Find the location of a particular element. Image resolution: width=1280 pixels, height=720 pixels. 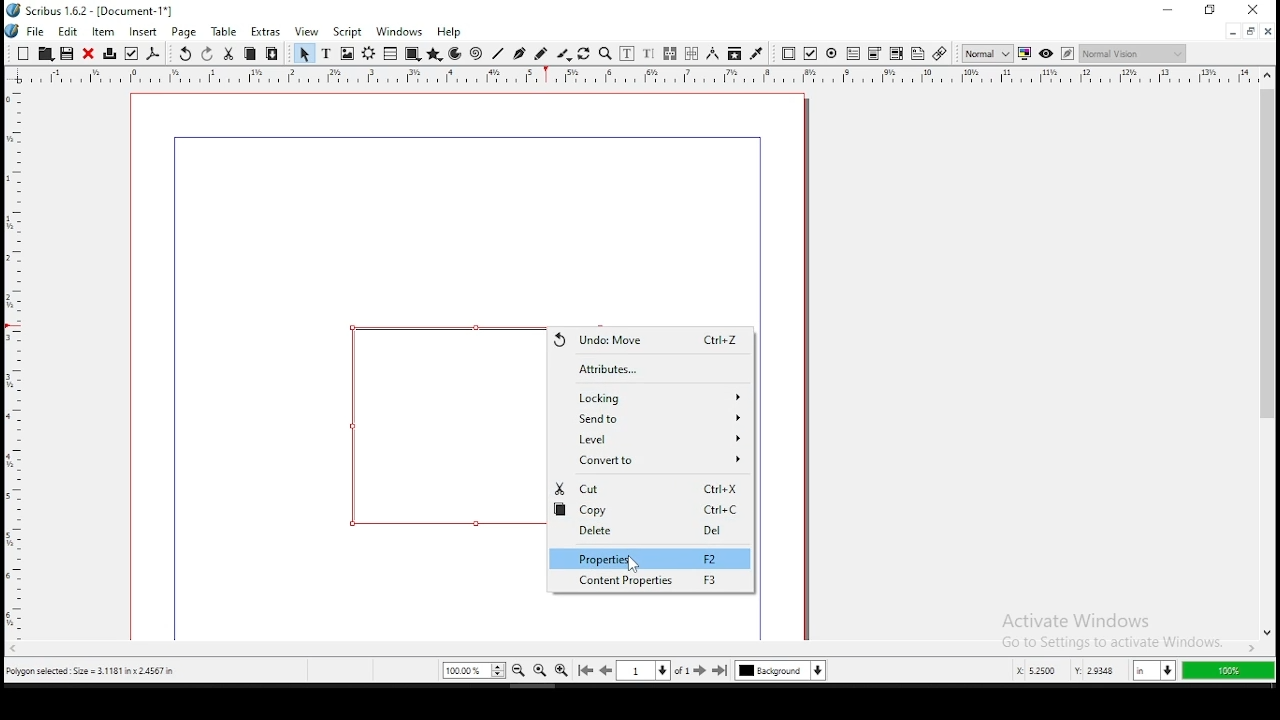

toggle image preview quality is located at coordinates (986, 53).